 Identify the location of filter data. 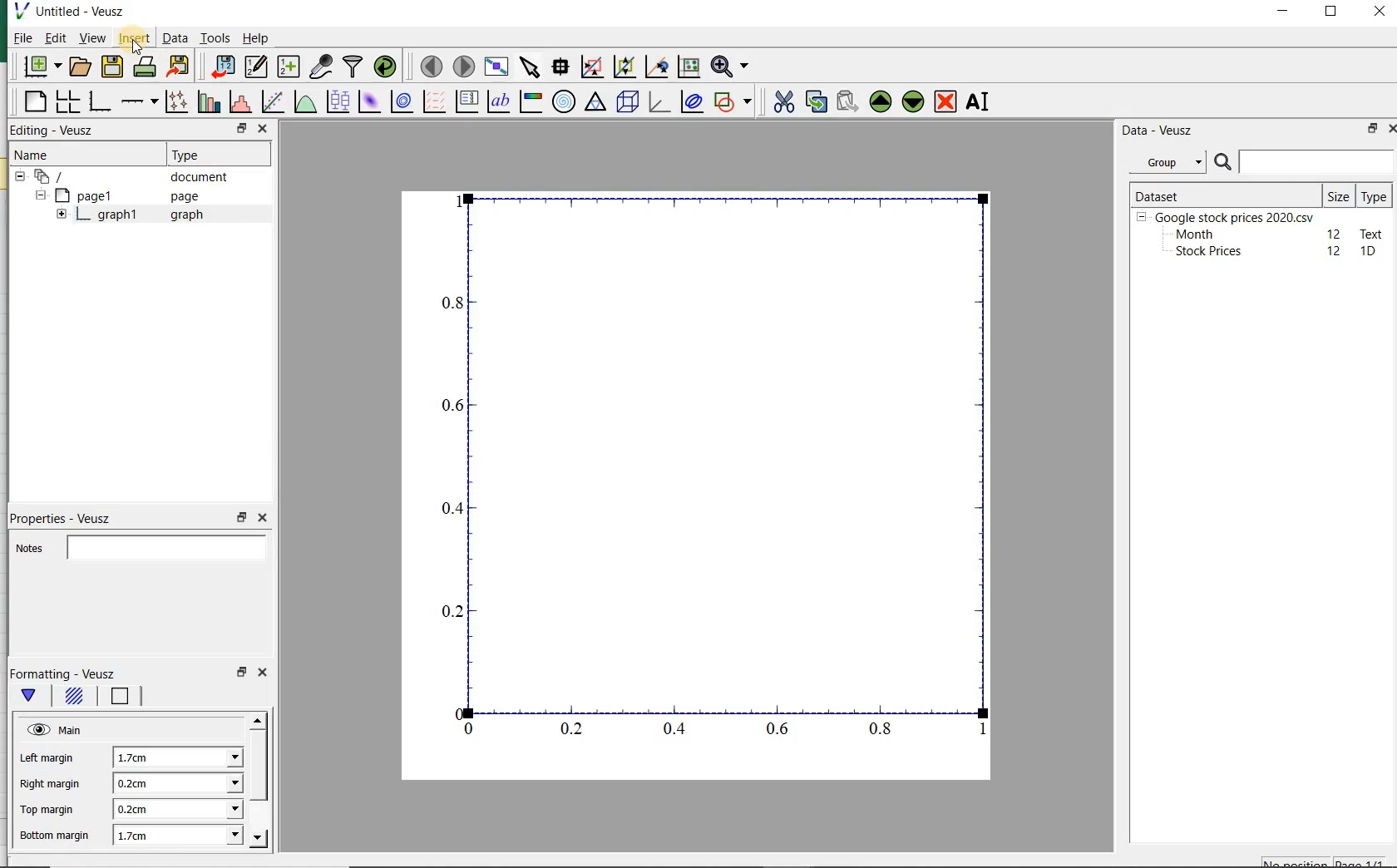
(353, 66).